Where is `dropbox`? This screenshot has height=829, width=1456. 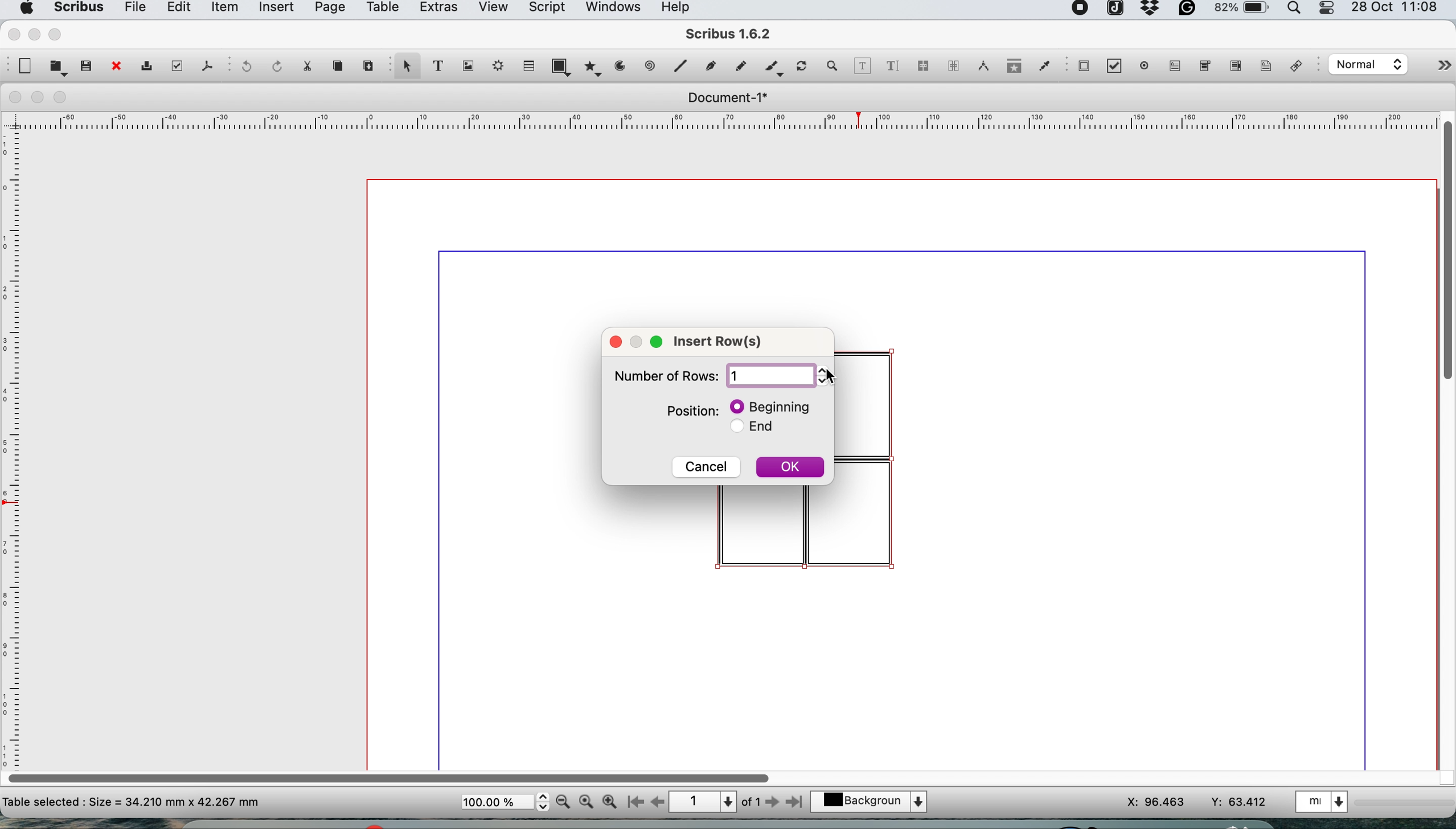
dropbox is located at coordinates (1151, 13).